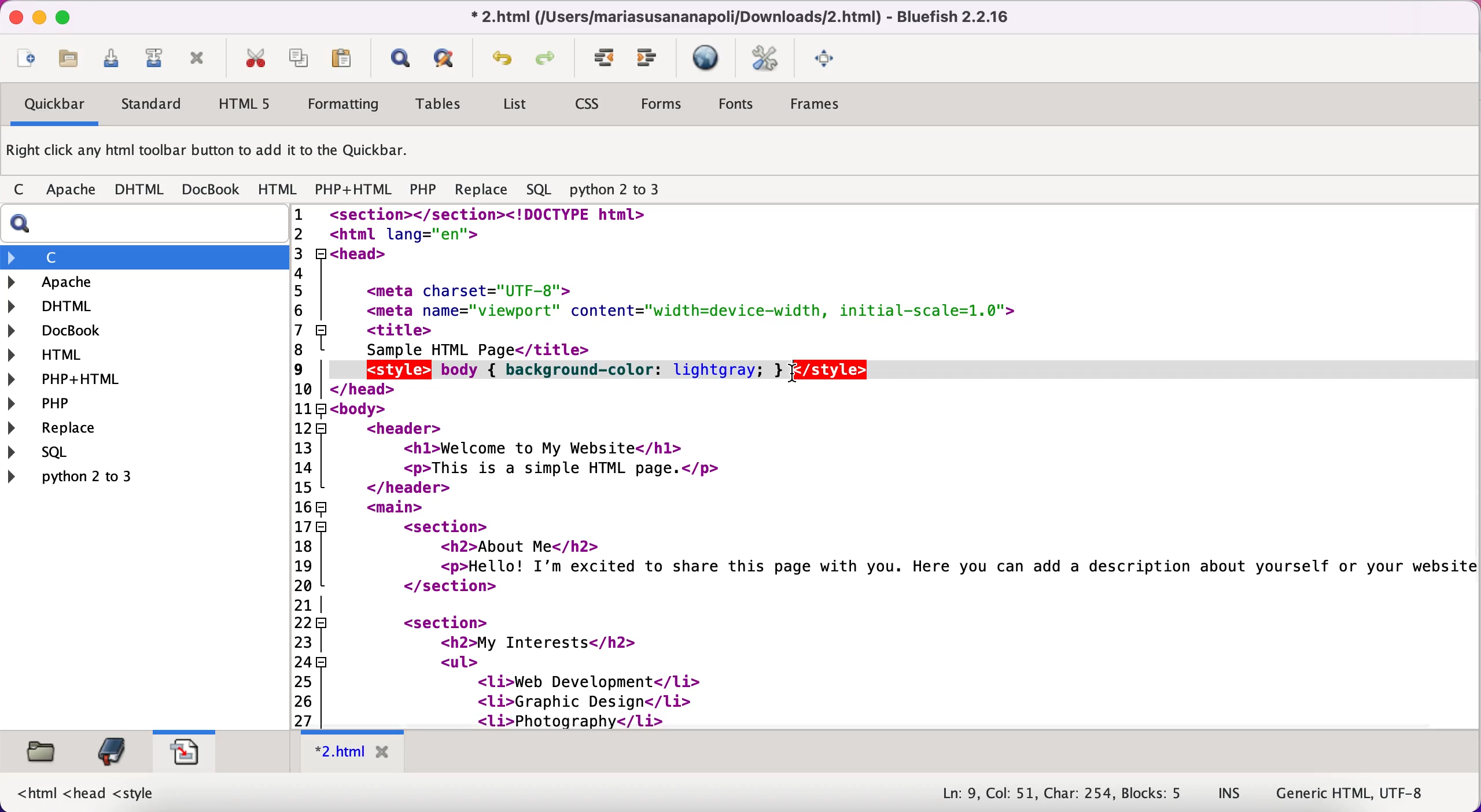  I want to click on sql, so click(91, 452).